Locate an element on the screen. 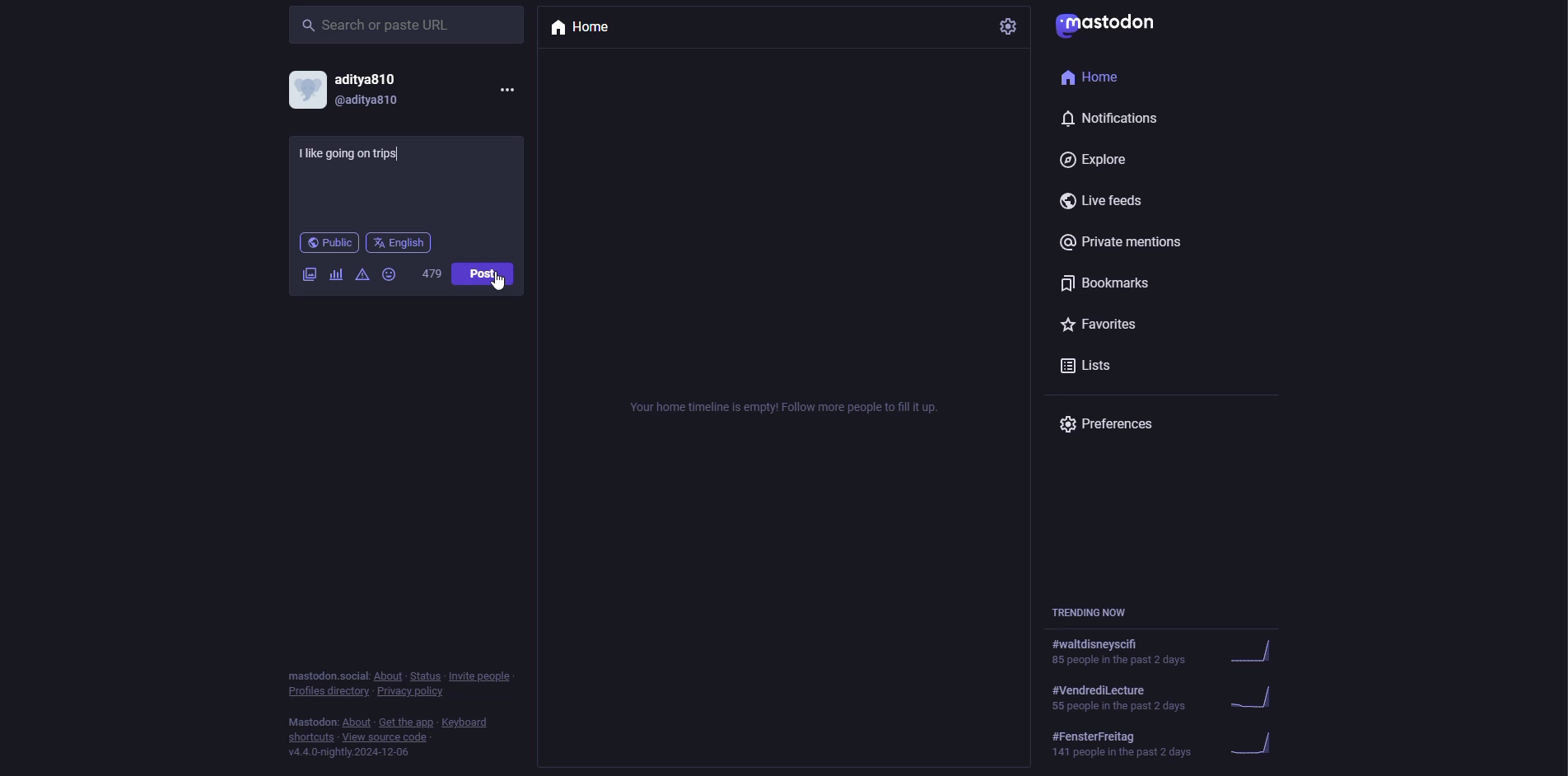 This screenshot has width=1568, height=776. advanced is located at coordinates (362, 276).